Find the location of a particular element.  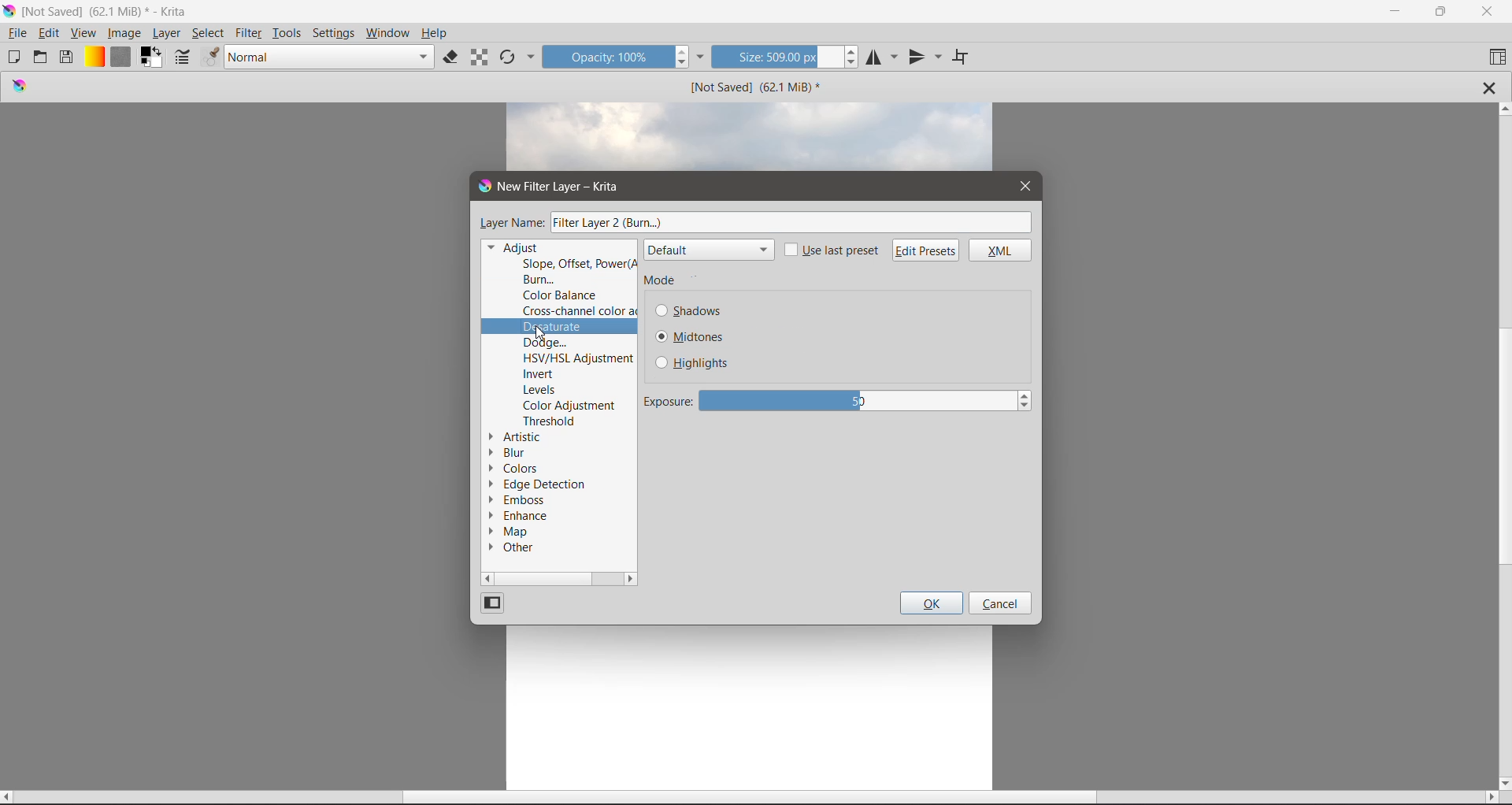

image layer is located at coordinates (749, 135).